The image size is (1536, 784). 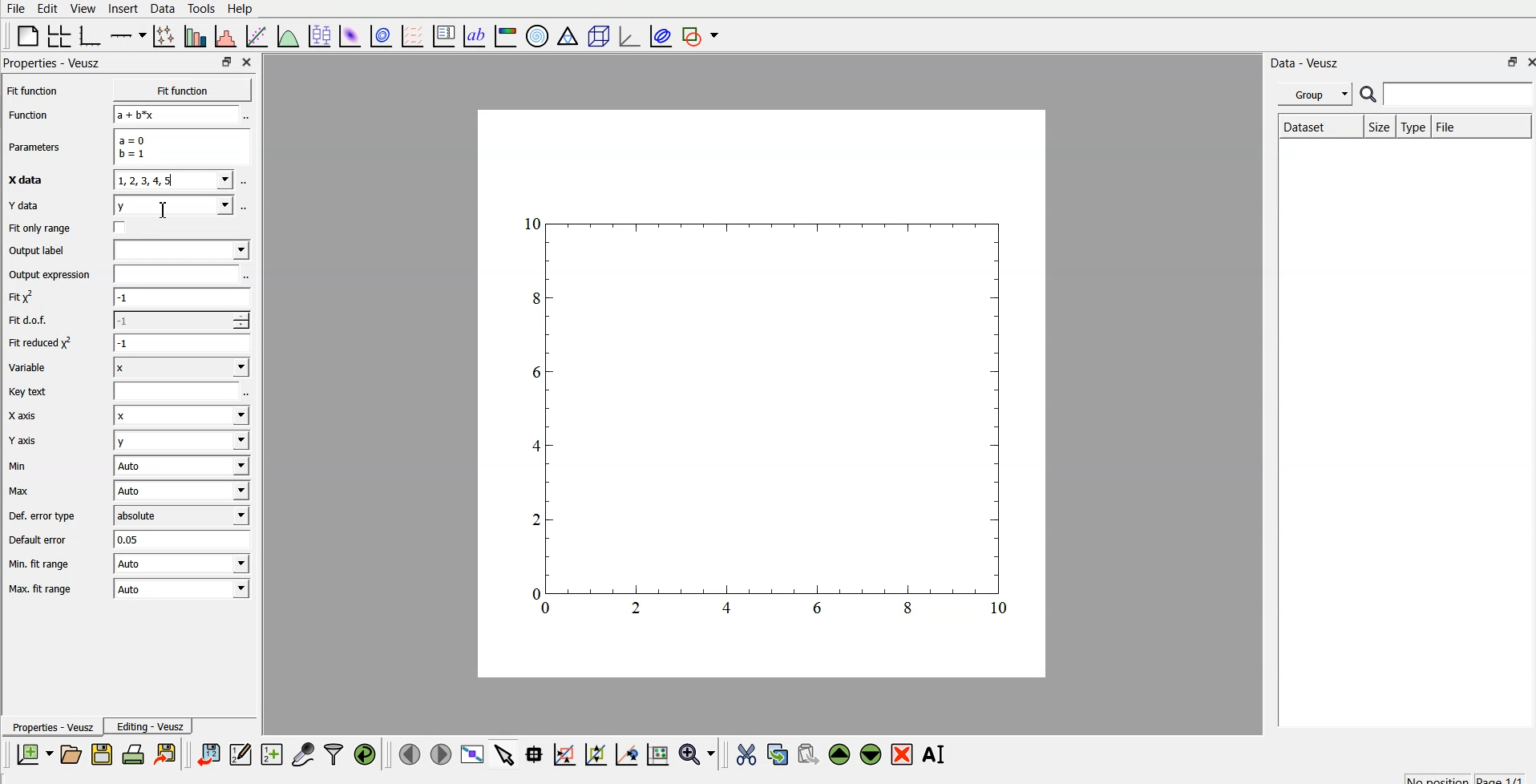 I want to click on move up the selected widget, so click(x=839, y=754).